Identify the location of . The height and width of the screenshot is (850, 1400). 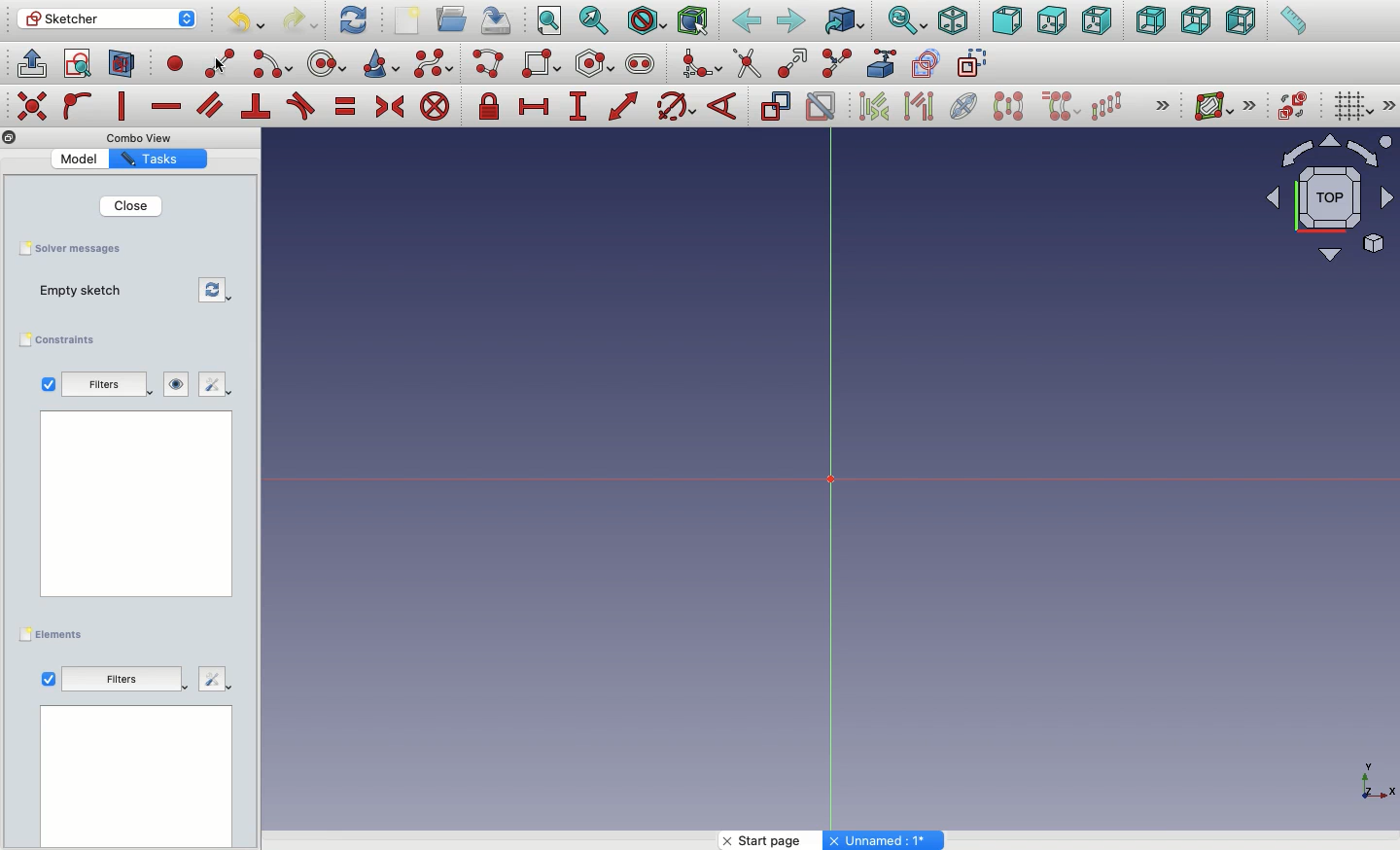
(1320, 206).